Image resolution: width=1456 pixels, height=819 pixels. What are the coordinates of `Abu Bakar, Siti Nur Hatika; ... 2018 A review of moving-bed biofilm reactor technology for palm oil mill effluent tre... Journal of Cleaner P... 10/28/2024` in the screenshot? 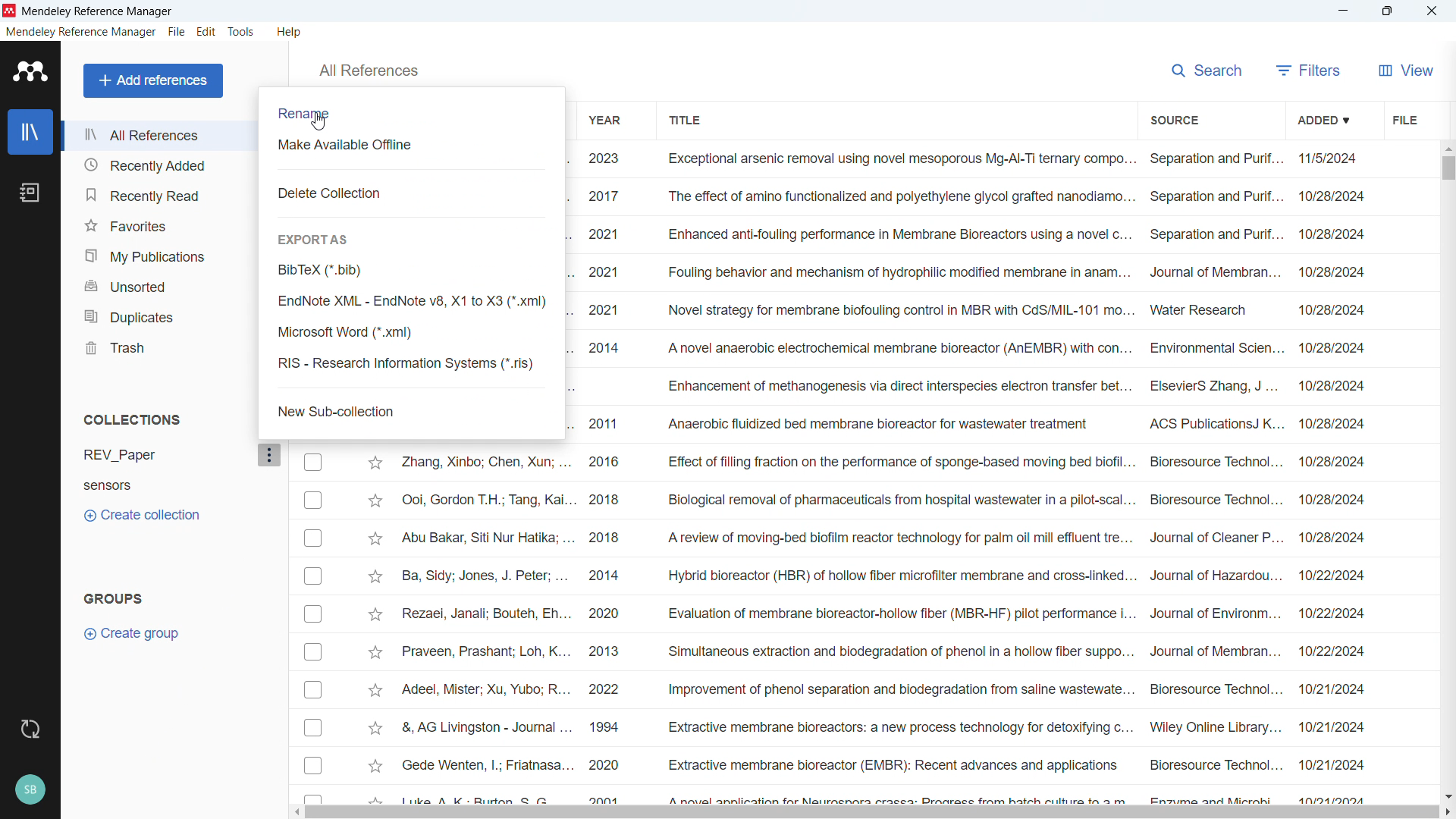 It's located at (883, 537).